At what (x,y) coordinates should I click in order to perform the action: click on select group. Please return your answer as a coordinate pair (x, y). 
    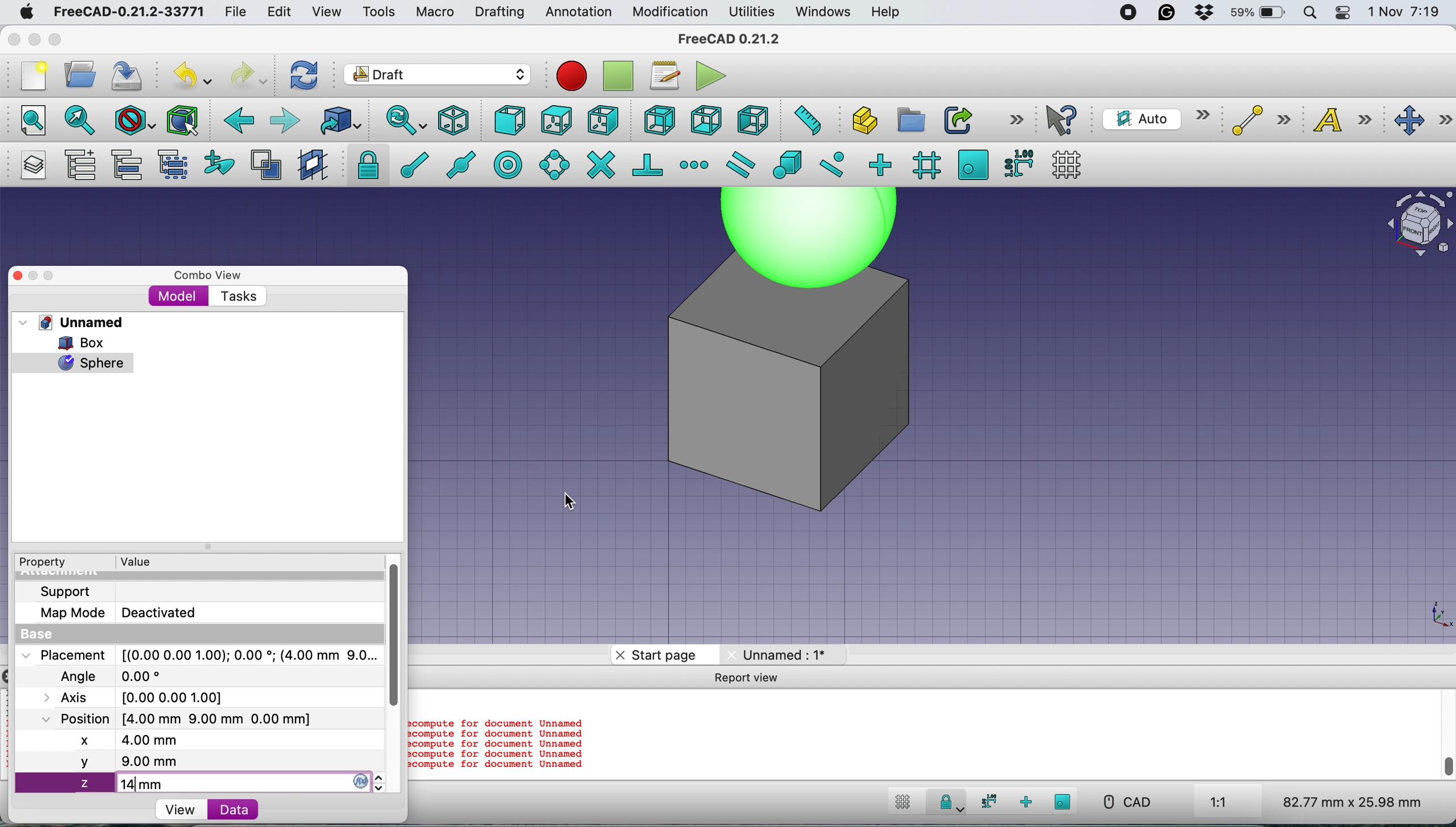
    Looking at the image, I should click on (172, 167).